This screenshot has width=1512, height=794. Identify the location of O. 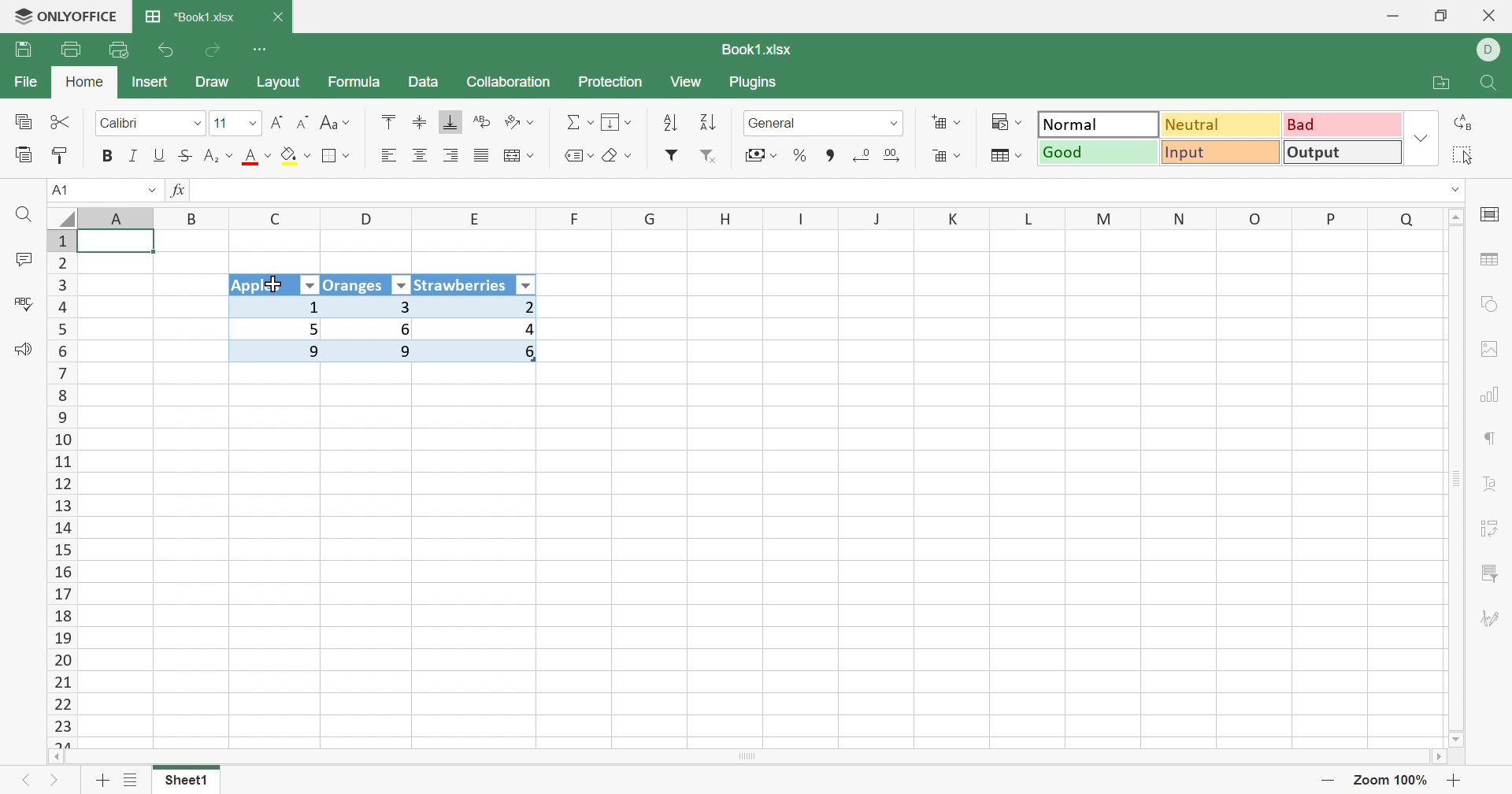
(1256, 219).